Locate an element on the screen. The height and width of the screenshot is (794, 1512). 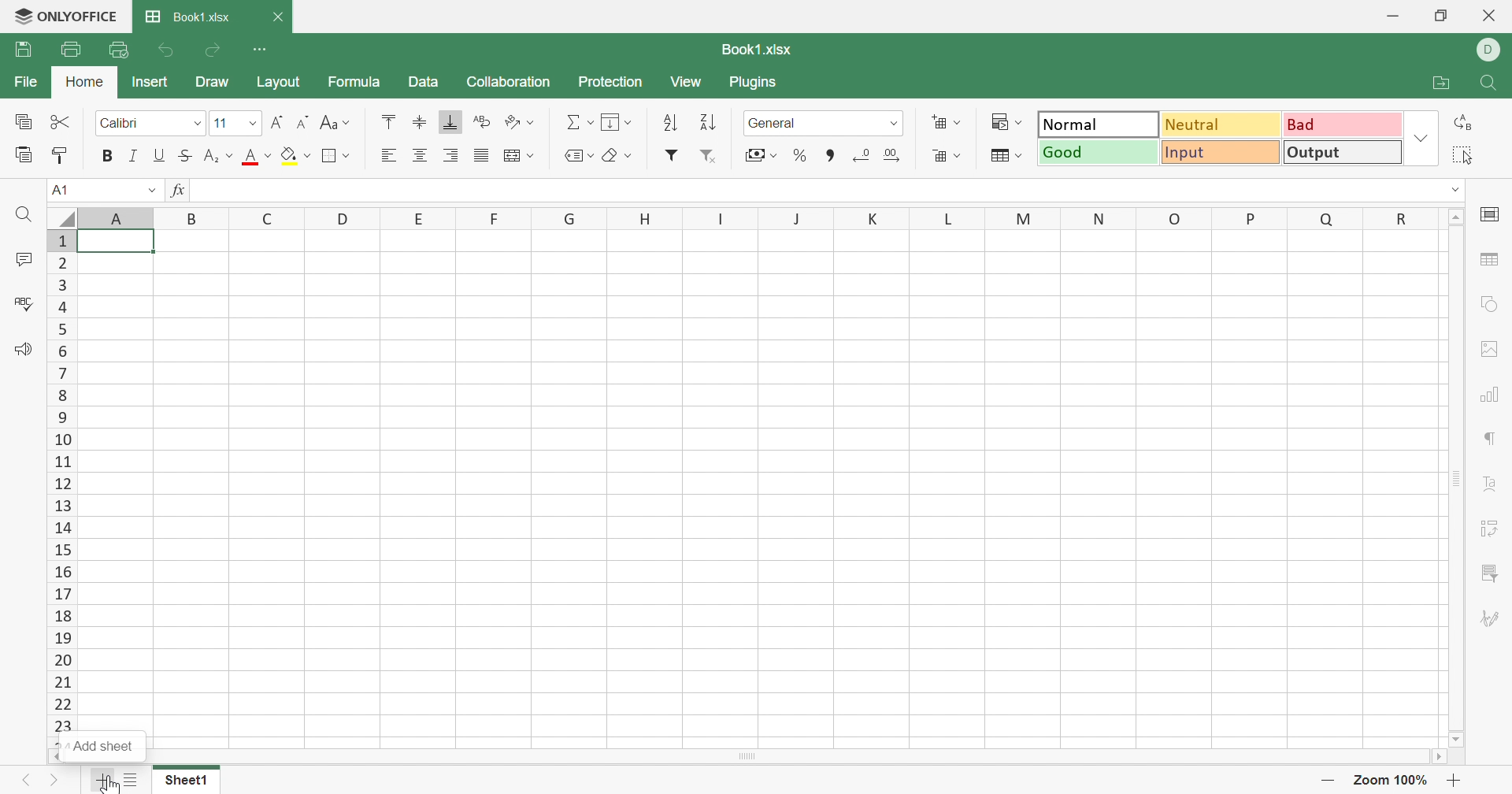
Input is located at coordinates (1218, 153).